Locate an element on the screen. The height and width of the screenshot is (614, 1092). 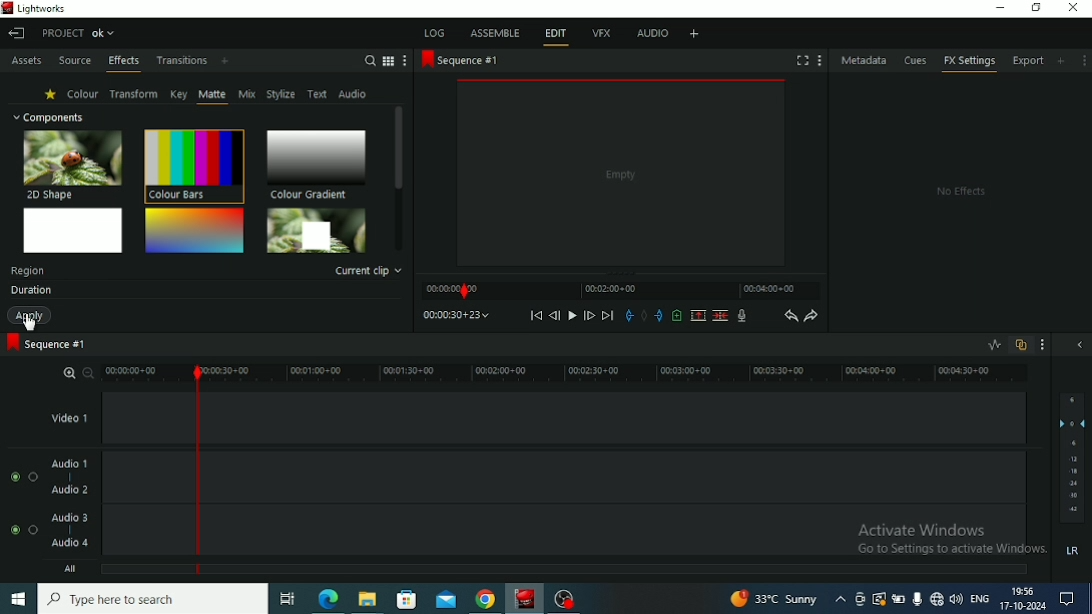
Date and Time Indicator is located at coordinates (1022, 599).